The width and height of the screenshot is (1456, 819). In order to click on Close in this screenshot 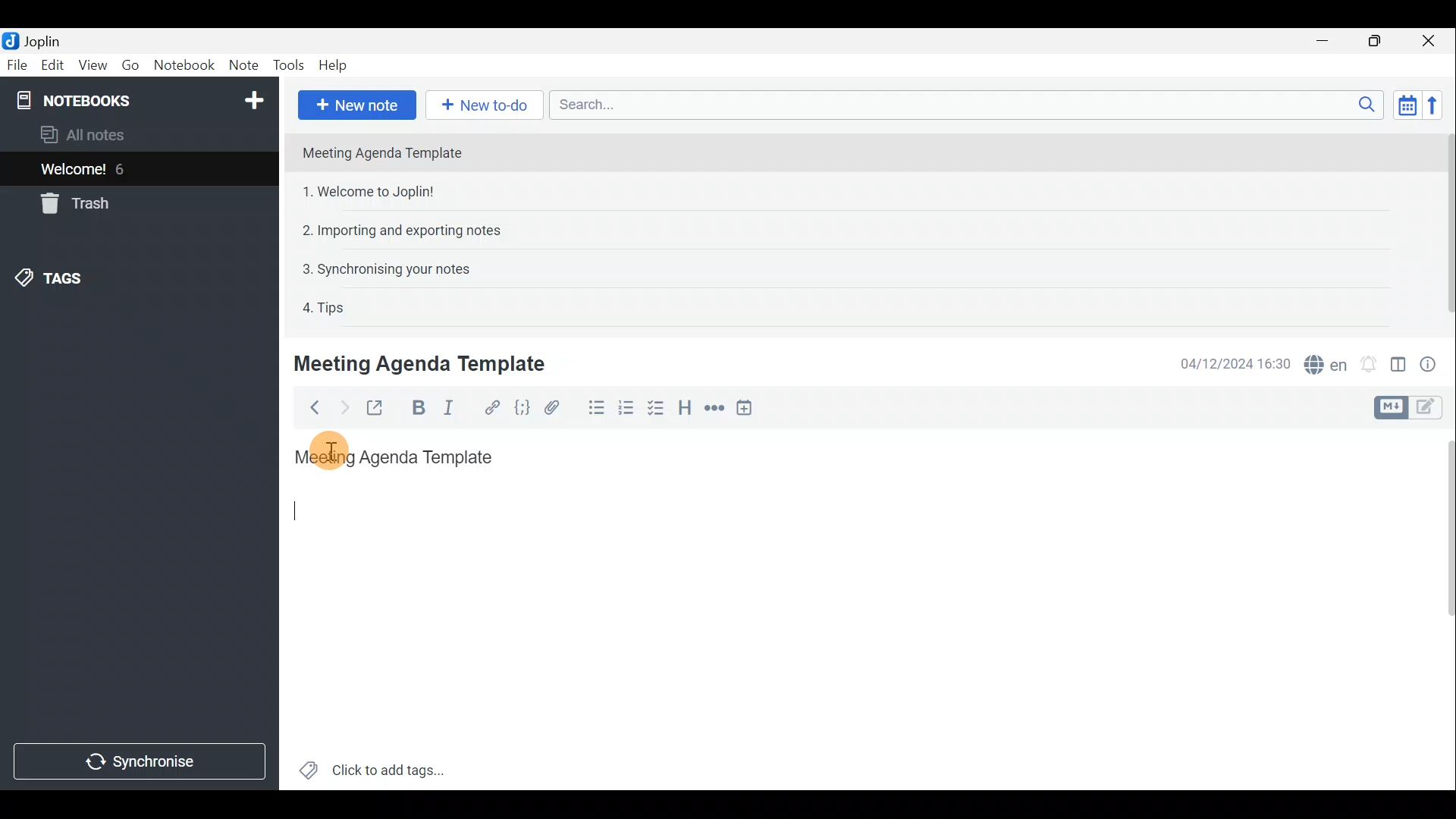, I will do `click(1429, 42)`.